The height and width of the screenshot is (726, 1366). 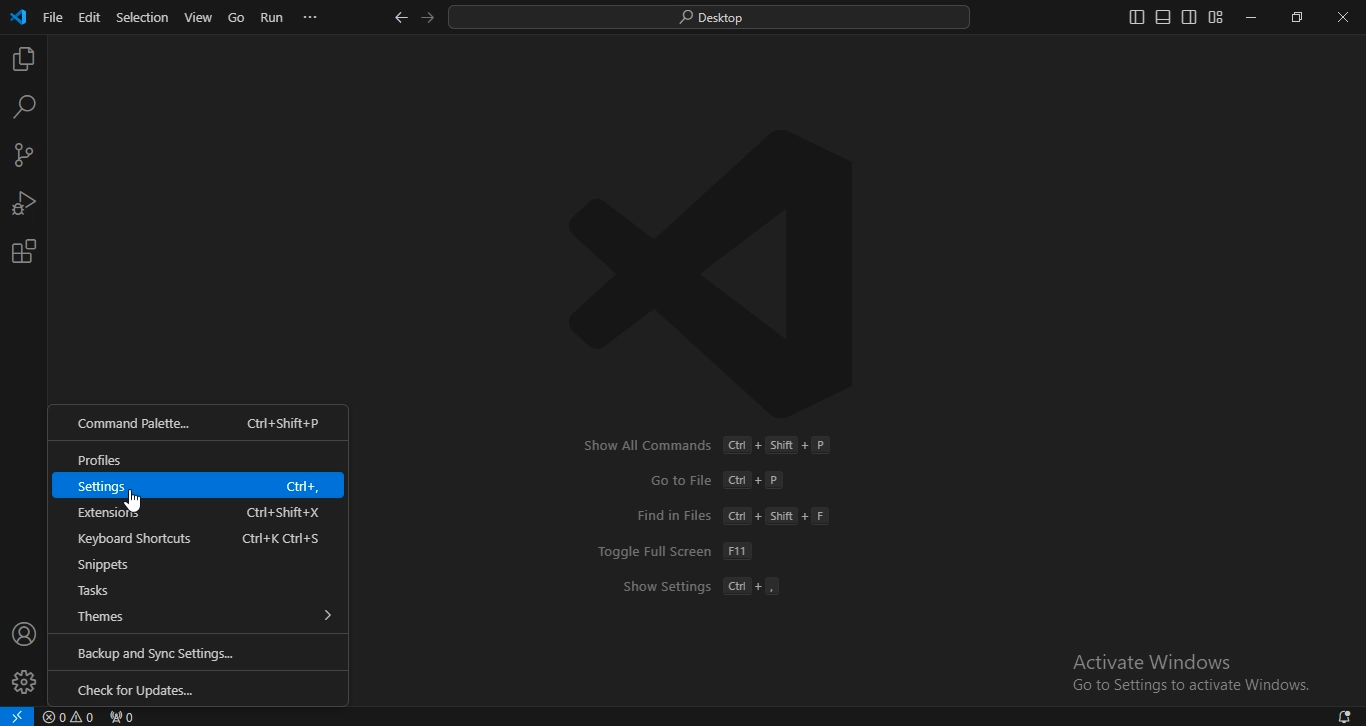 What do you see at coordinates (25, 155) in the screenshot?
I see `source control` at bounding box center [25, 155].